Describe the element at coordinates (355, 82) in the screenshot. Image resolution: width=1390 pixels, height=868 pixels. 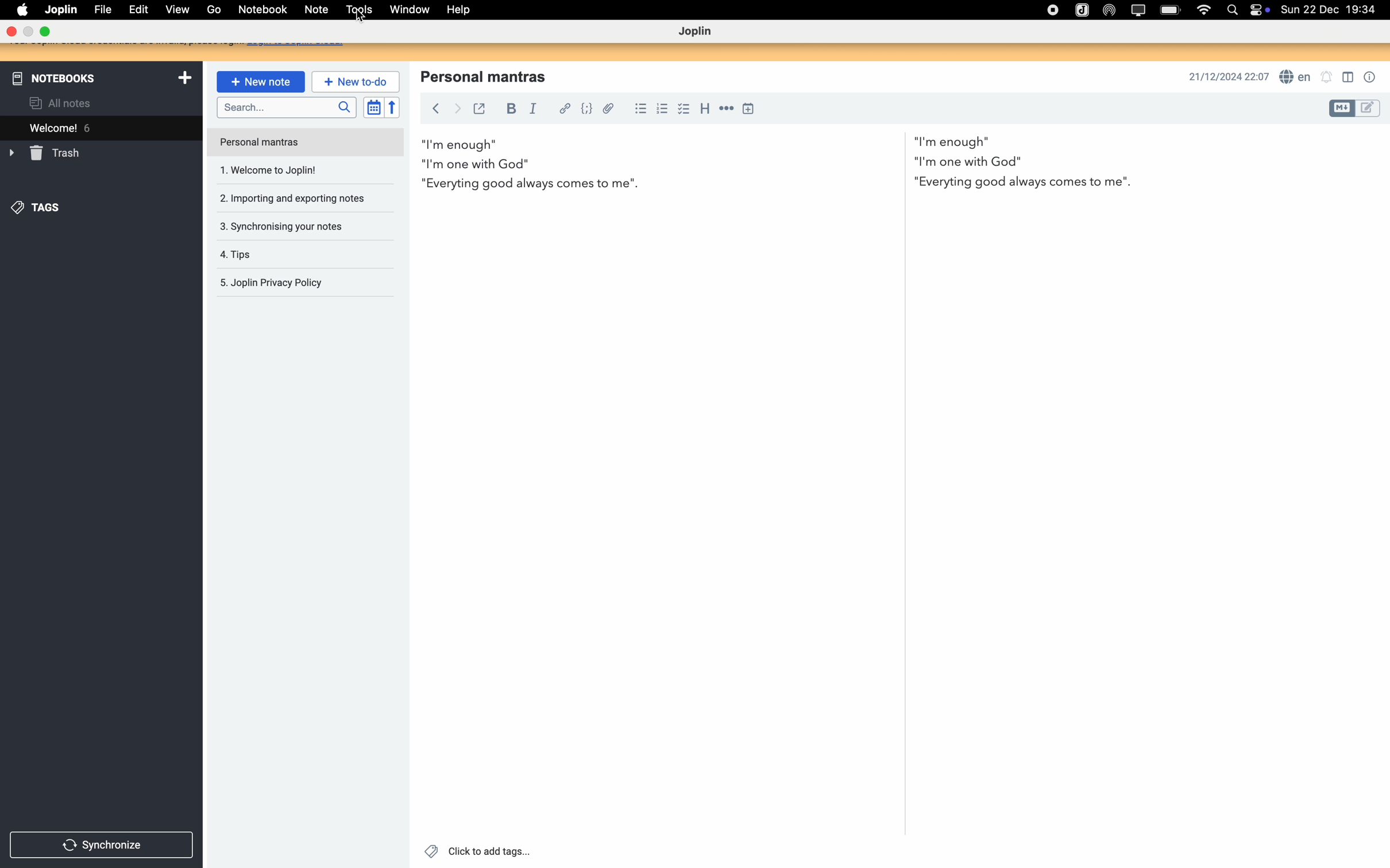
I see `new to-do` at that location.